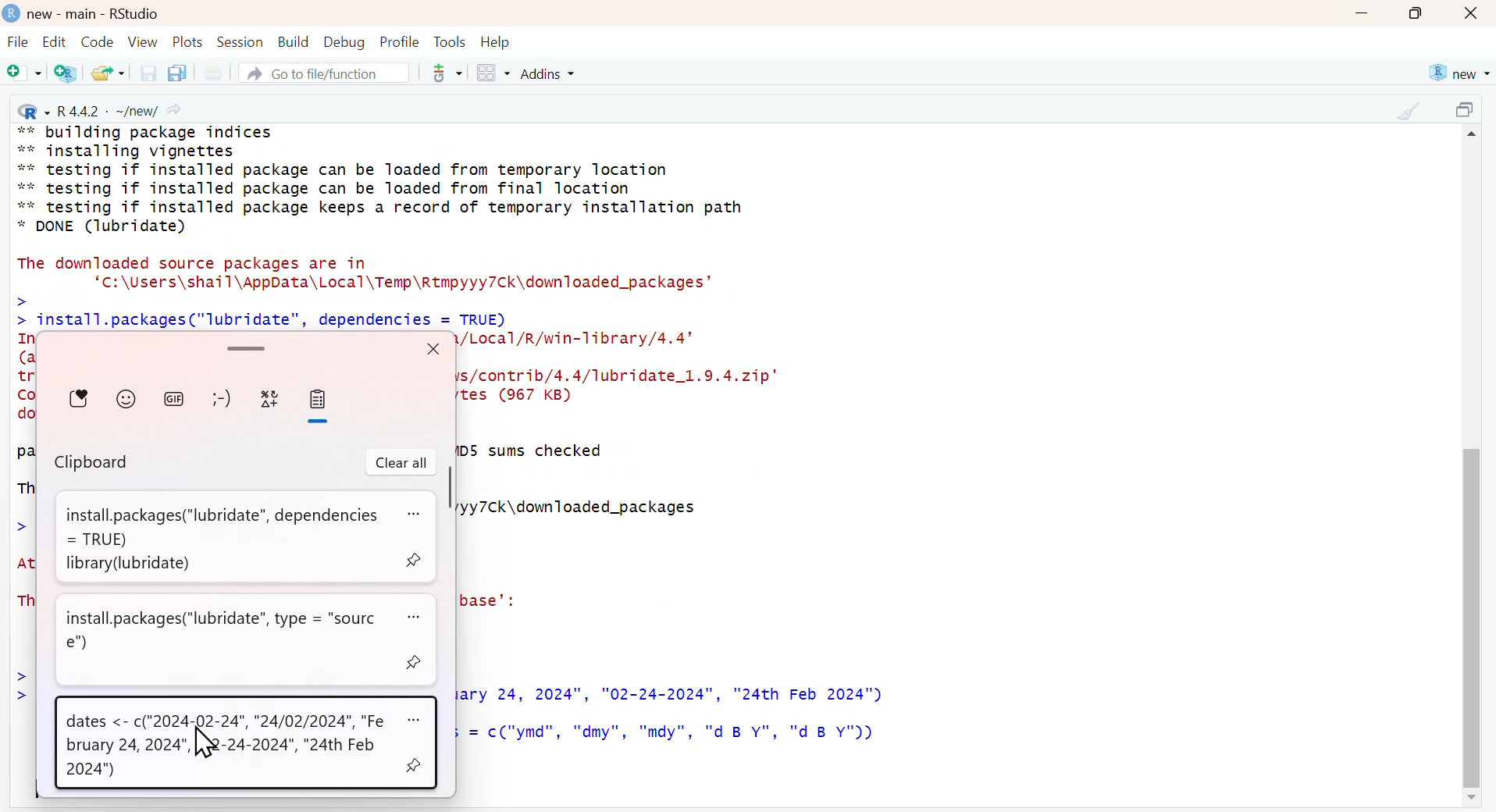 This screenshot has width=1496, height=812. Describe the element at coordinates (343, 41) in the screenshot. I see `Debug` at that location.